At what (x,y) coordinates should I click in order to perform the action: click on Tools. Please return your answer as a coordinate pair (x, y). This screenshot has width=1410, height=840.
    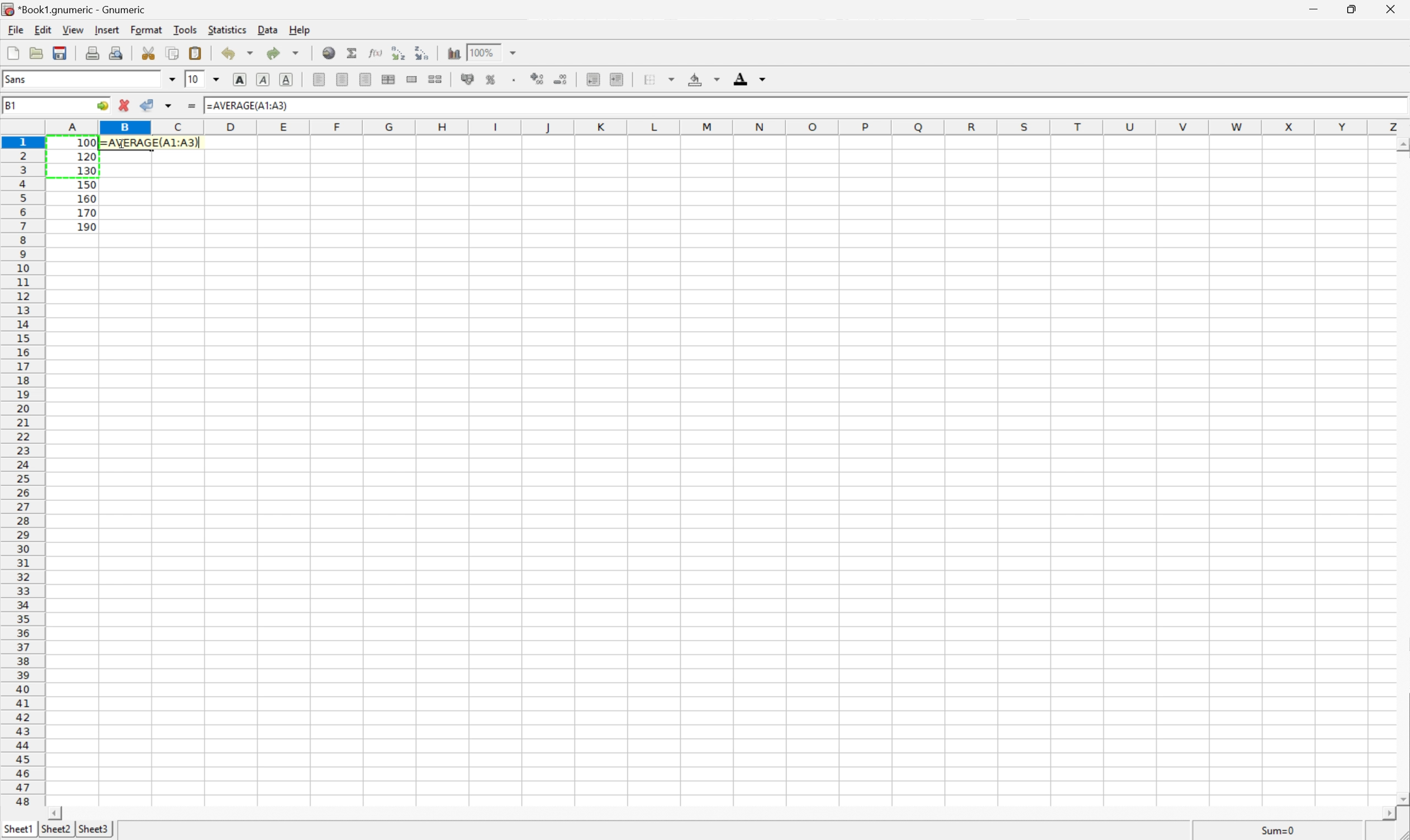
    Looking at the image, I should click on (188, 30).